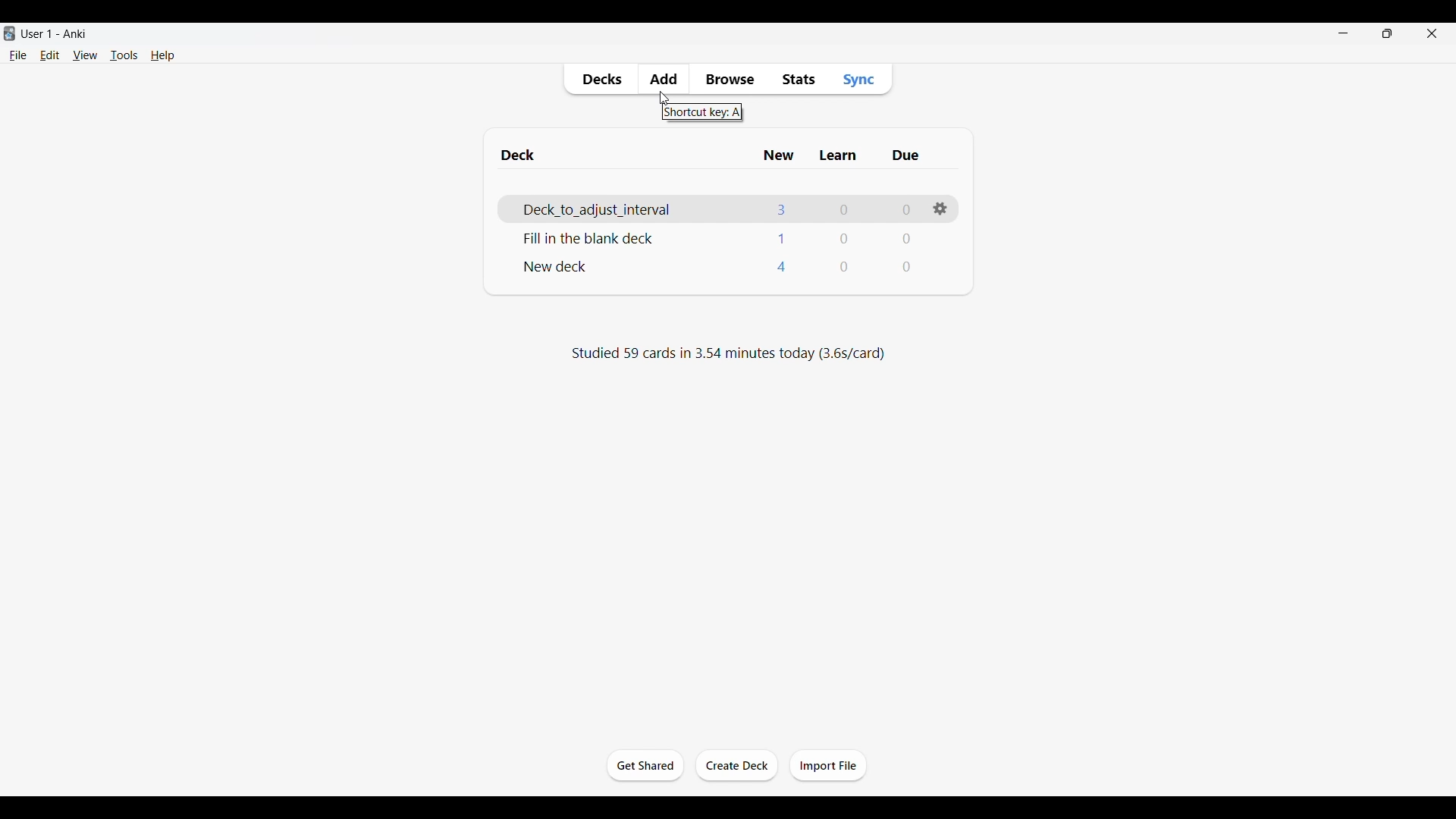 This screenshot has height=819, width=1456. Describe the element at coordinates (54, 33) in the screenshot. I see `User and software name` at that location.